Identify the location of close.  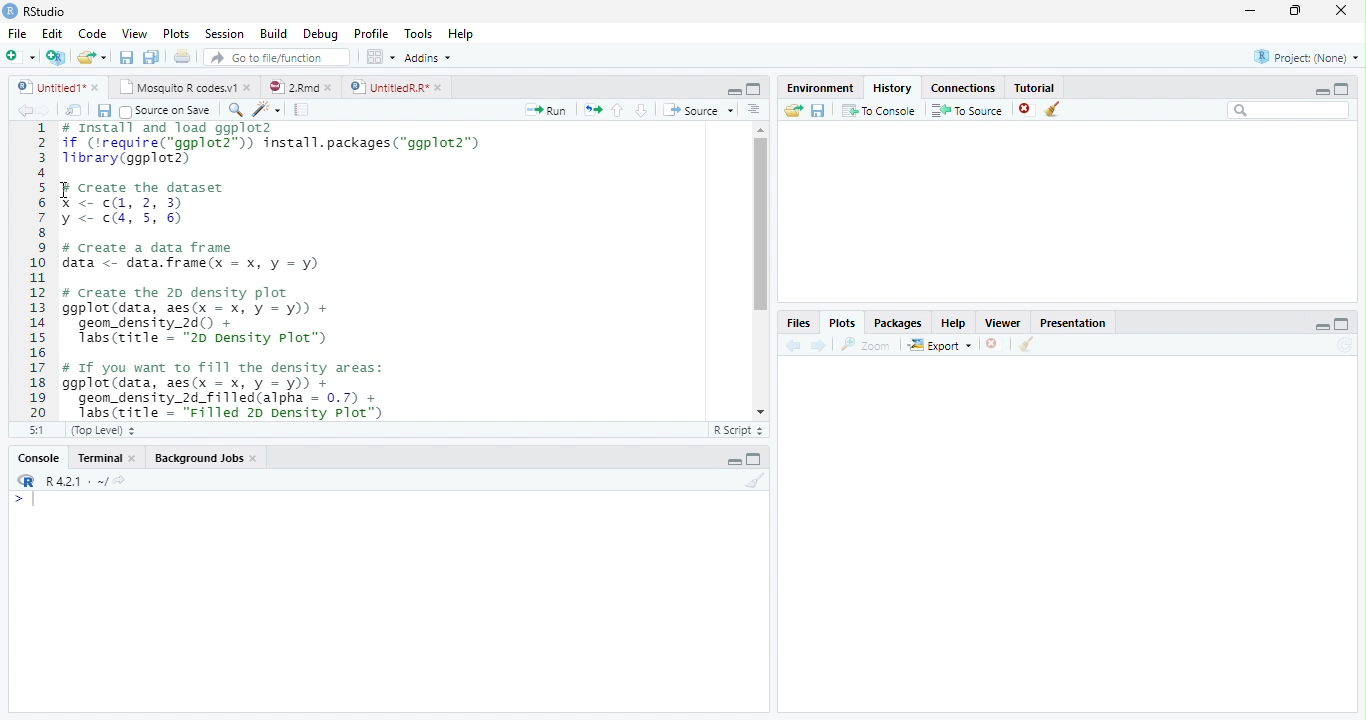
(332, 87).